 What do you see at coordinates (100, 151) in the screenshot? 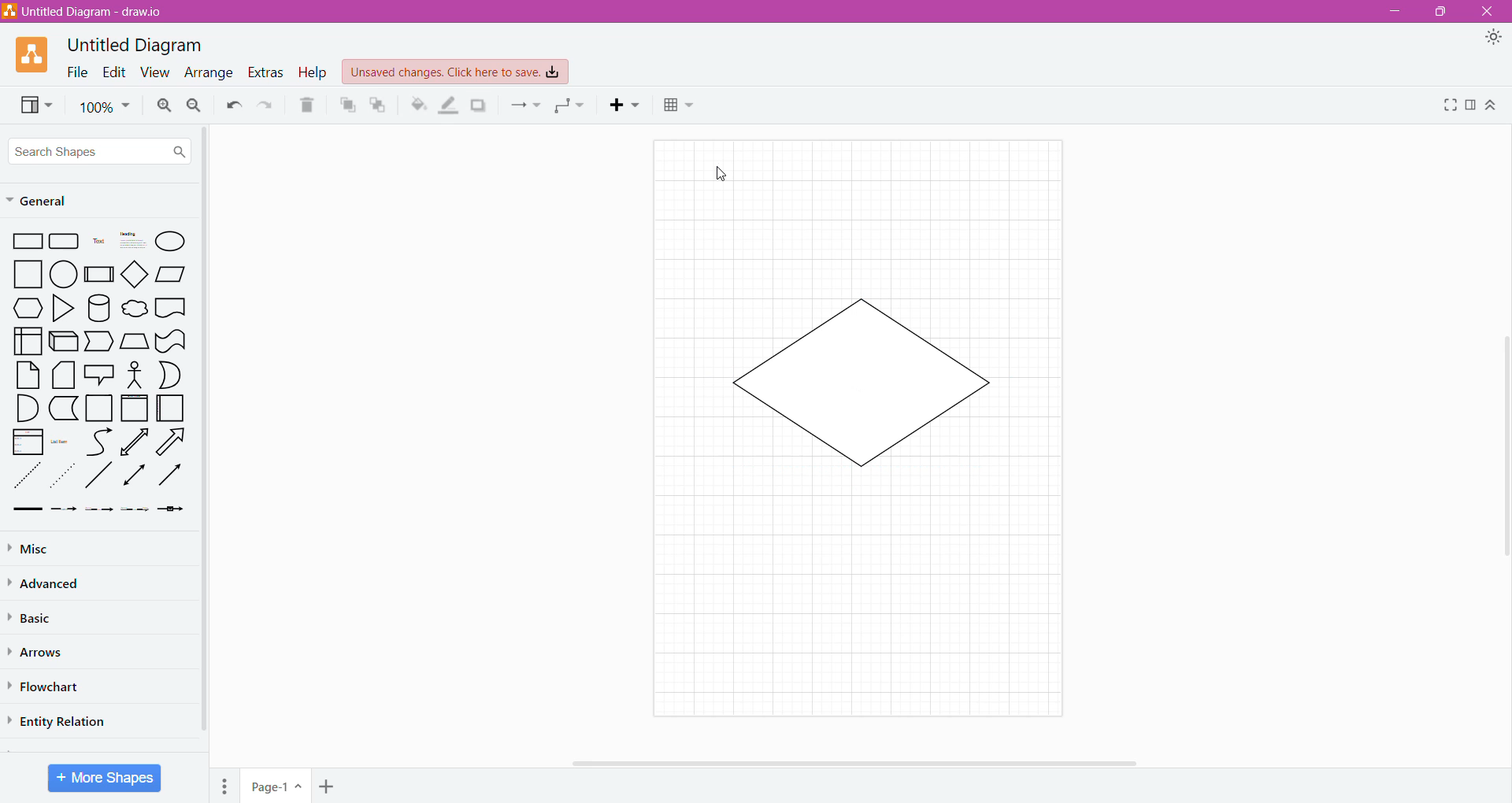
I see `Search Shapes` at bounding box center [100, 151].